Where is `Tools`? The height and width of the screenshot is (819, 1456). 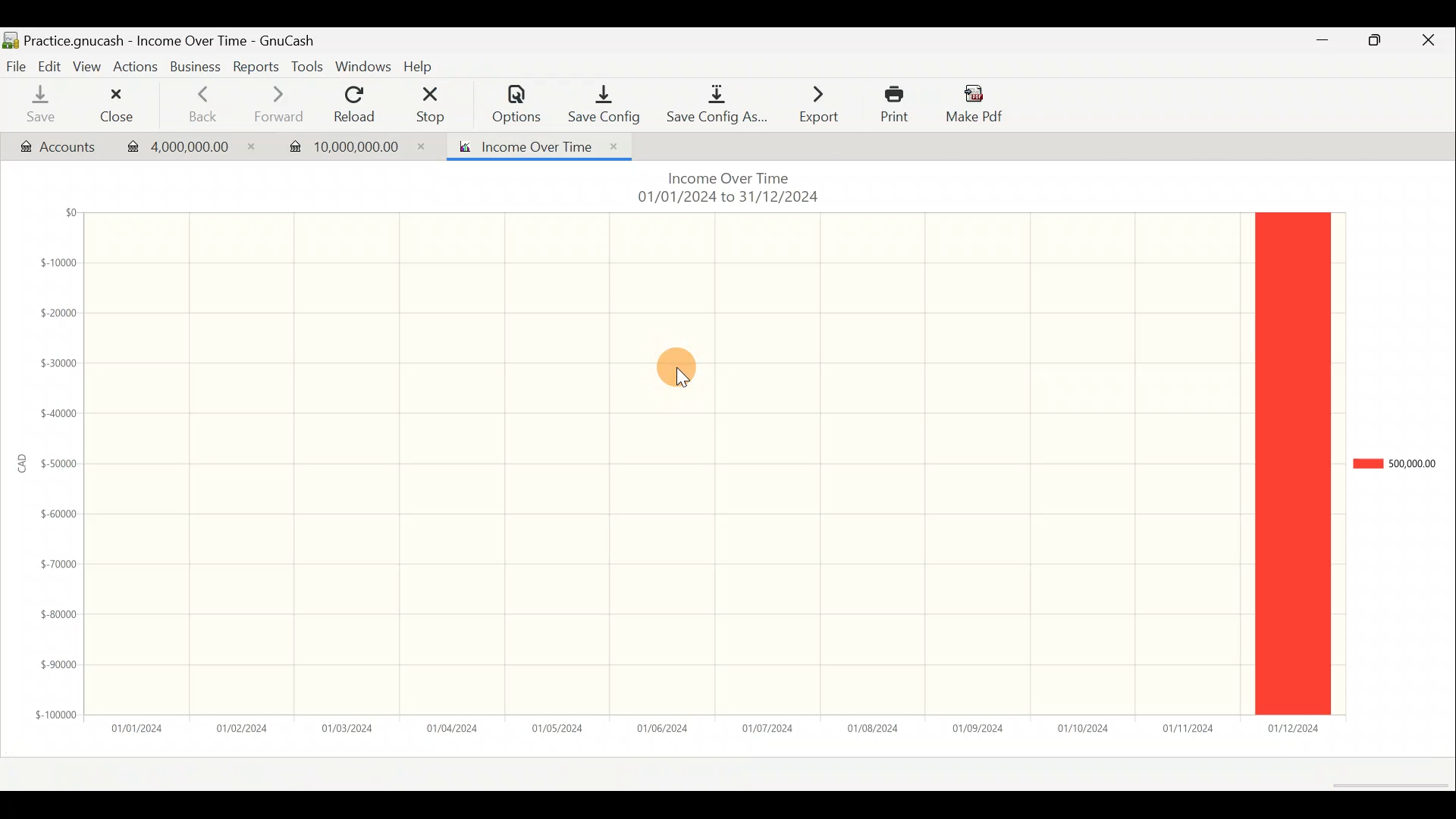
Tools is located at coordinates (304, 66).